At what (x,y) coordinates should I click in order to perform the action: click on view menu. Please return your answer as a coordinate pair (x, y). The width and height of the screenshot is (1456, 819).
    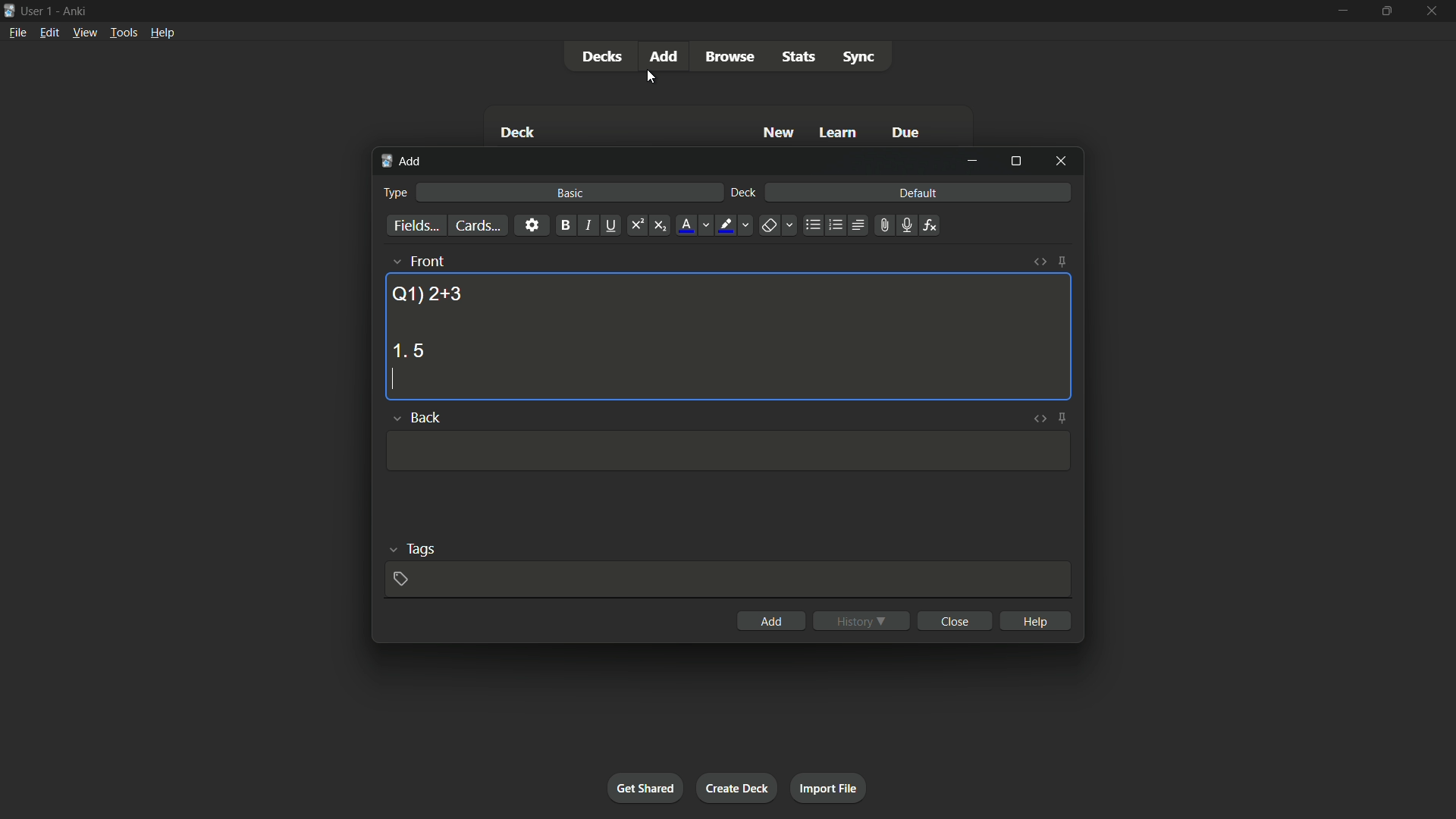
    Looking at the image, I should click on (83, 31).